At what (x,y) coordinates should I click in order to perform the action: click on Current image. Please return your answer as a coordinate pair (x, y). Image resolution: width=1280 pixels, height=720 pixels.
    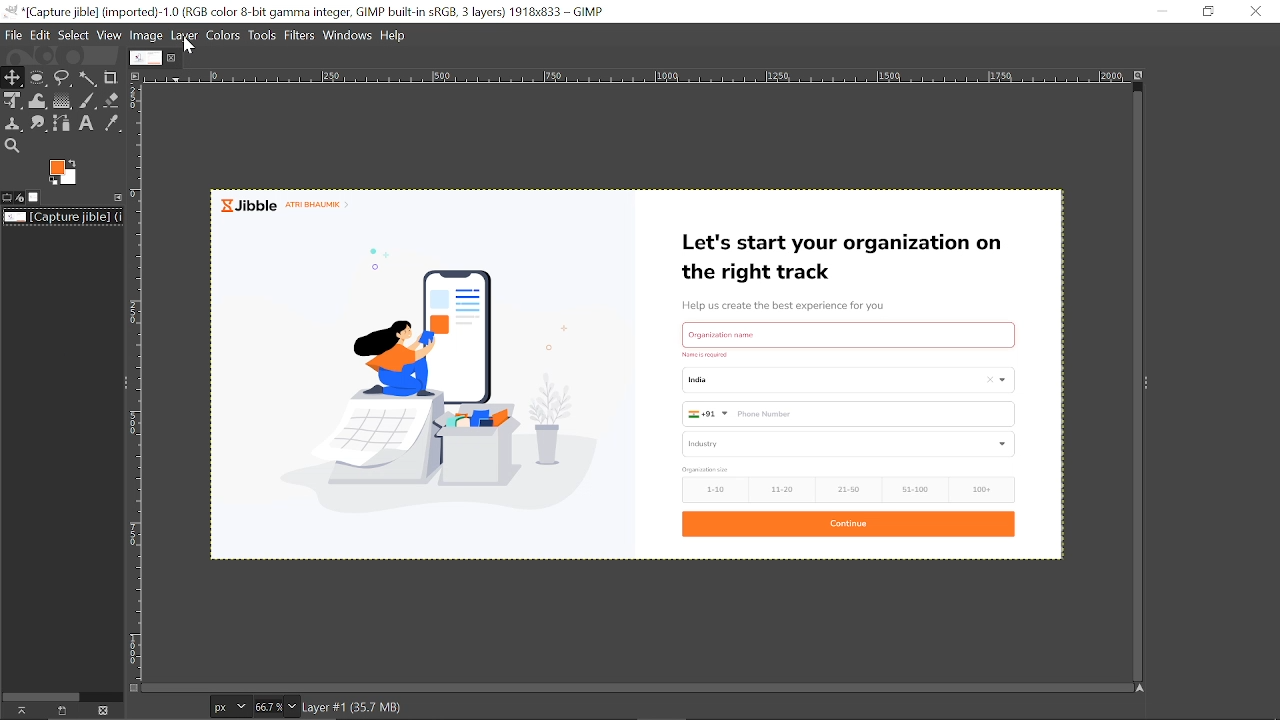
    Looking at the image, I should click on (64, 217).